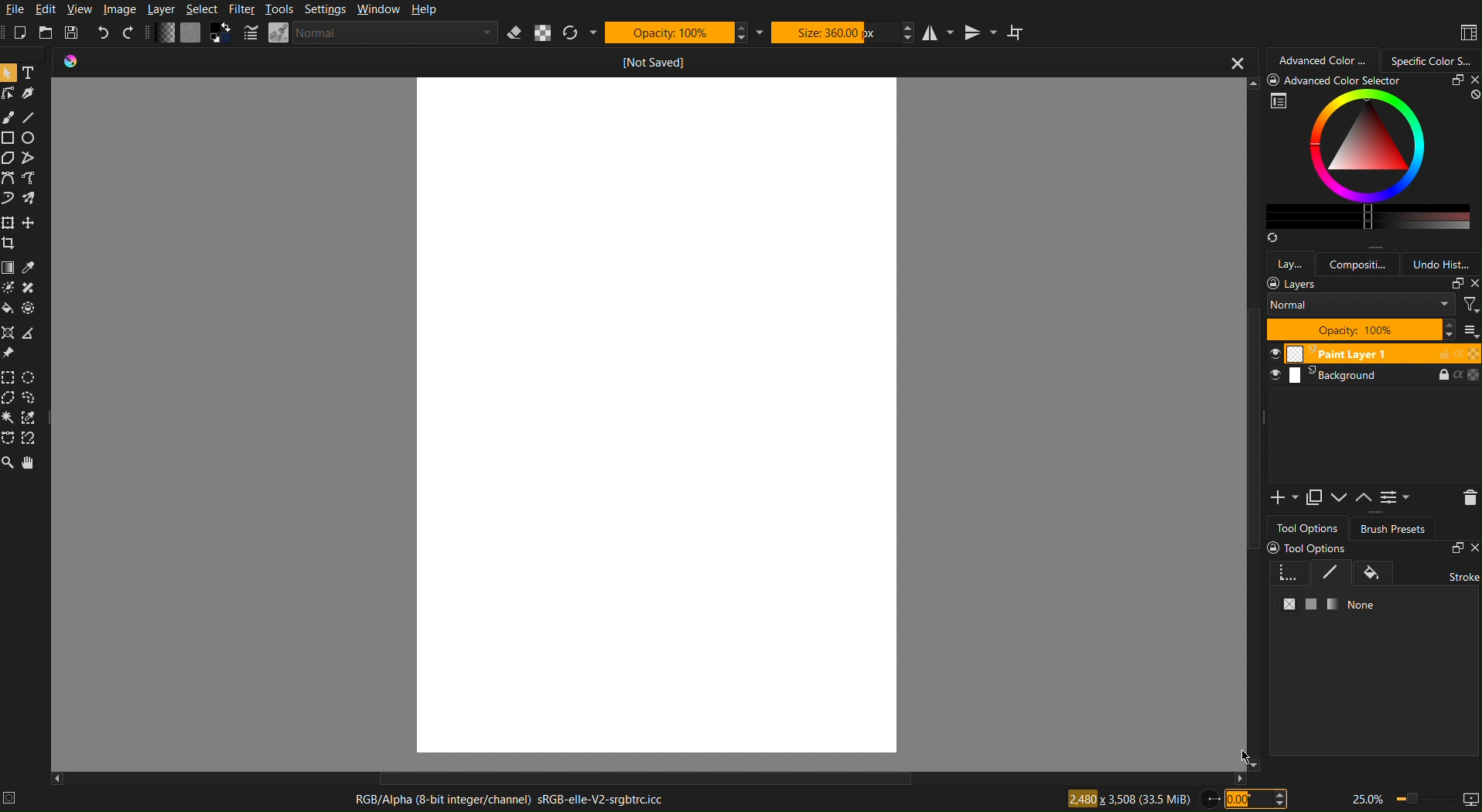  Describe the element at coordinates (1293, 285) in the screenshot. I see `layers` at that location.